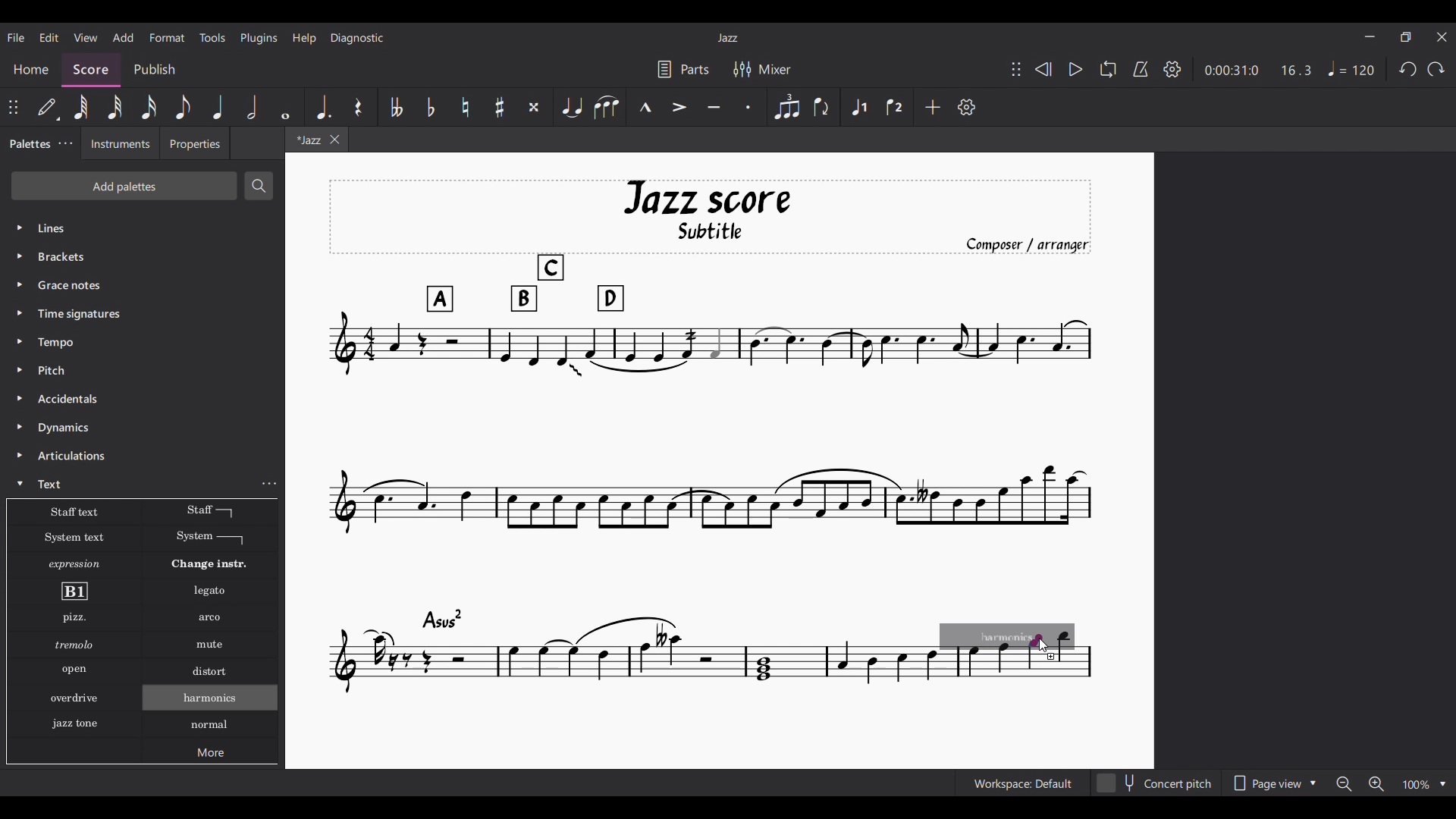  What do you see at coordinates (71, 399) in the screenshot?
I see `Accidents` at bounding box center [71, 399].